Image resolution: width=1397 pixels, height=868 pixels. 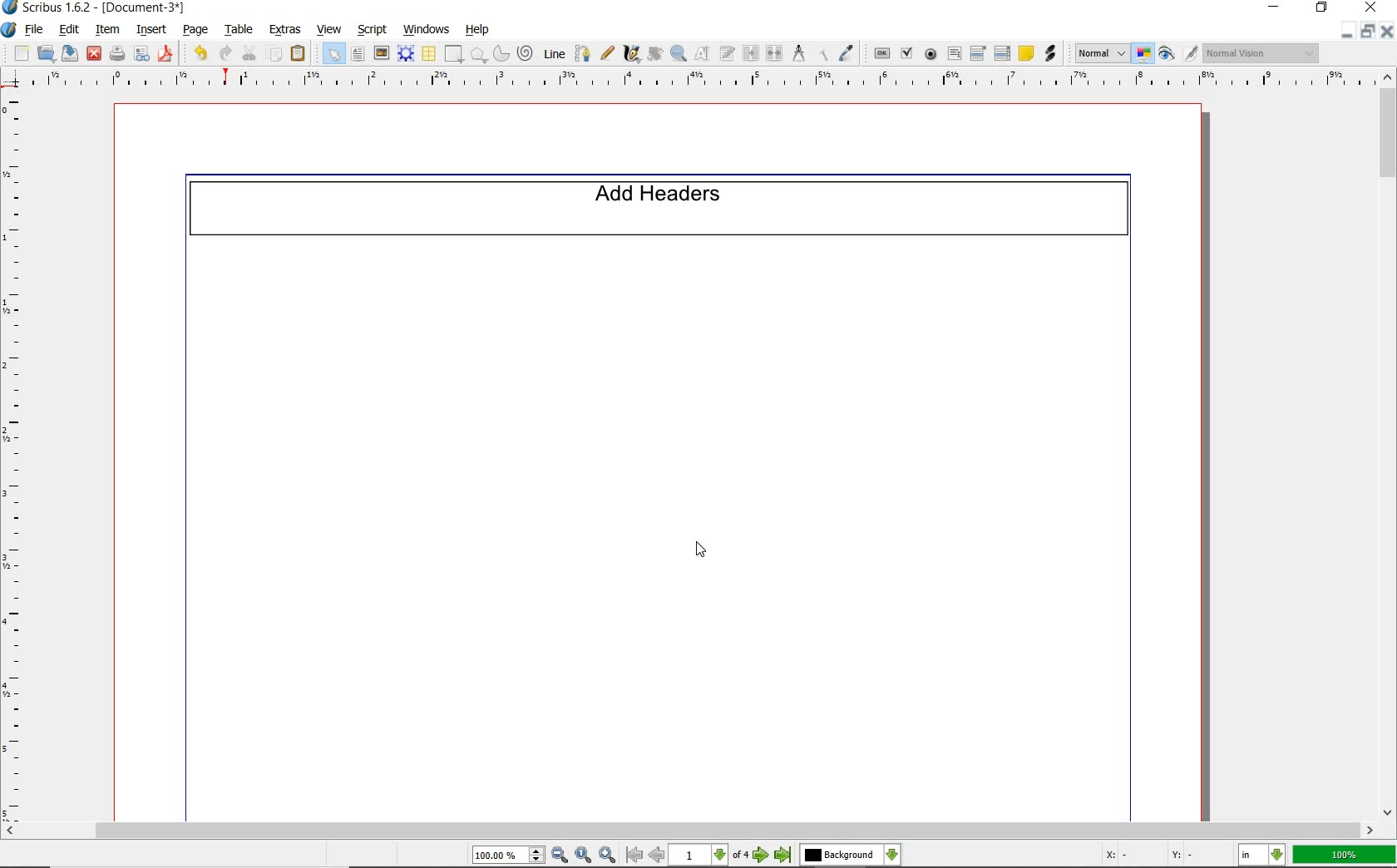 I want to click on close, so click(x=1389, y=31).